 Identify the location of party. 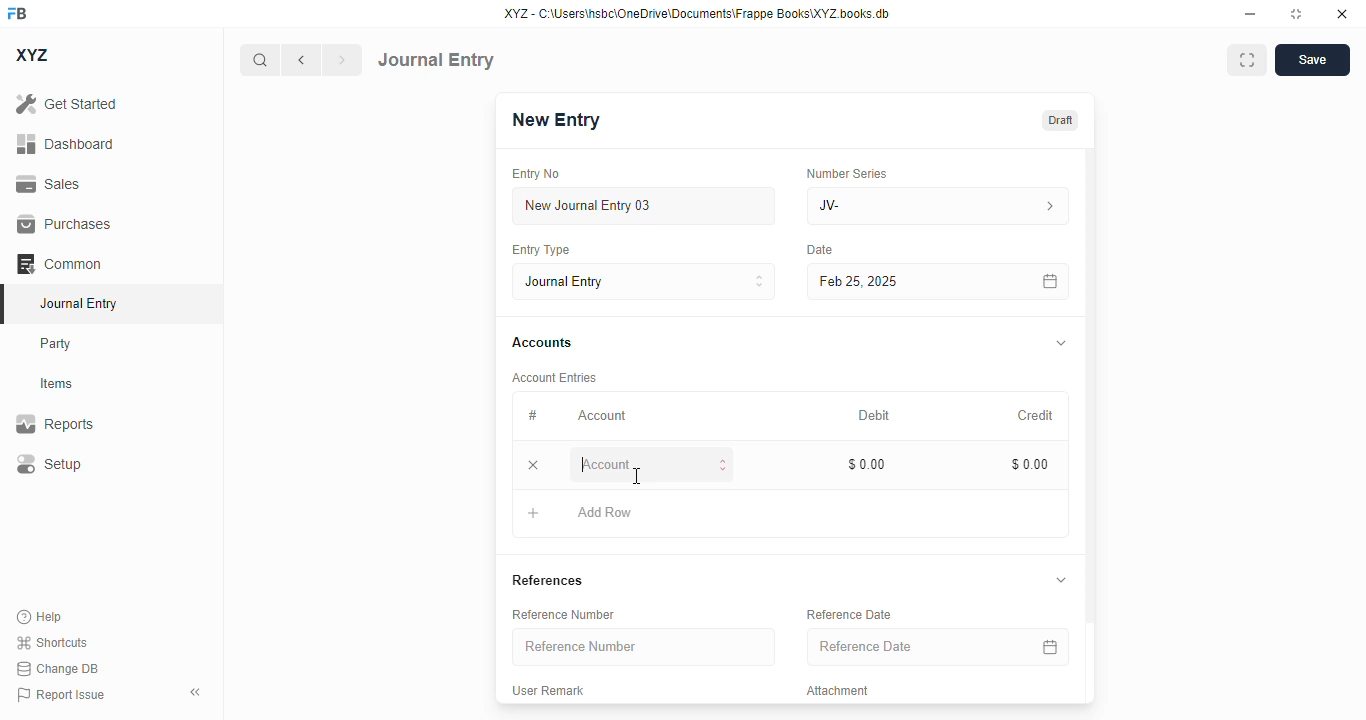
(56, 344).